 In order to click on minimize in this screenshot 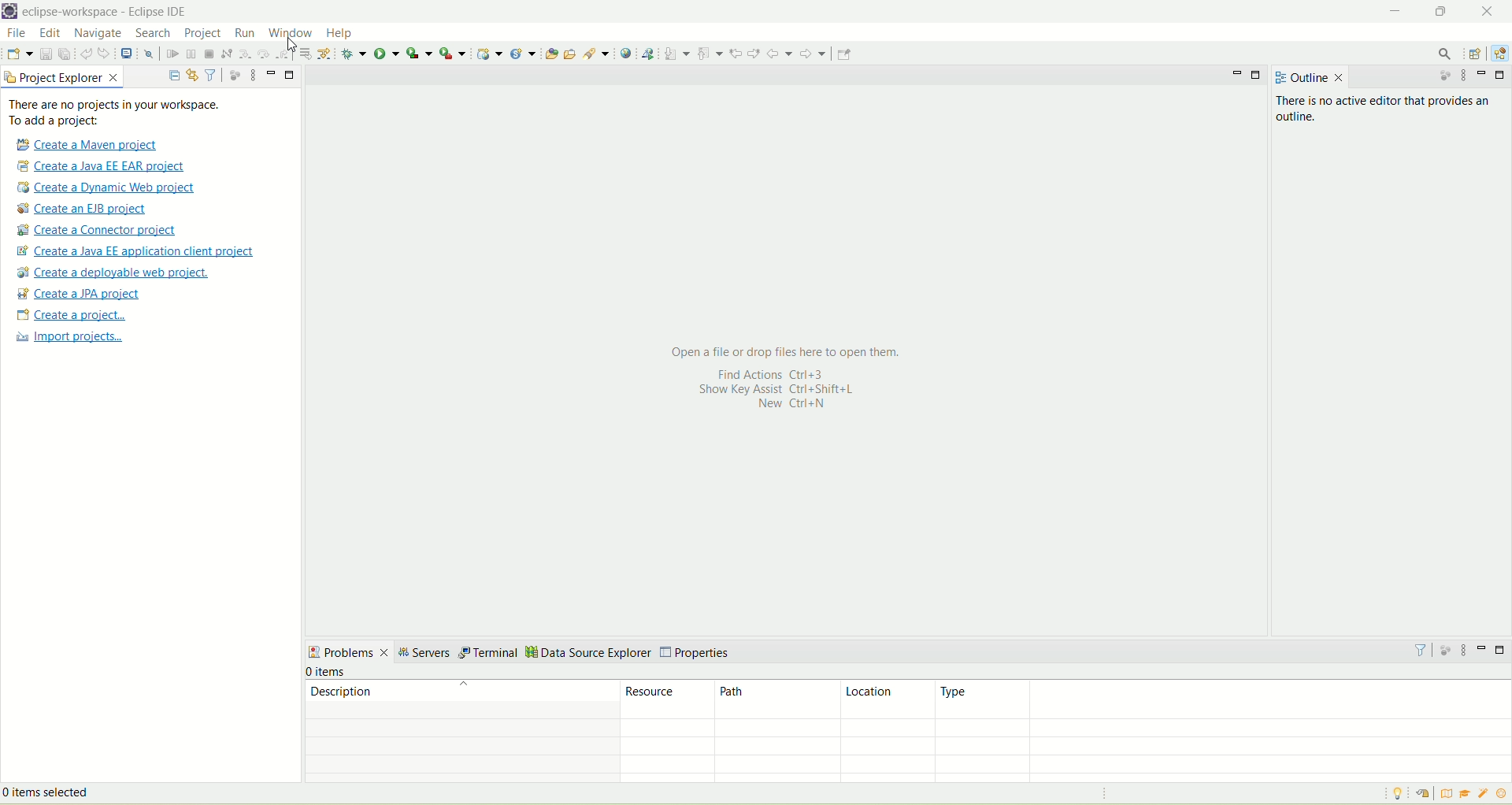, I will do `click(1395, 9)`.